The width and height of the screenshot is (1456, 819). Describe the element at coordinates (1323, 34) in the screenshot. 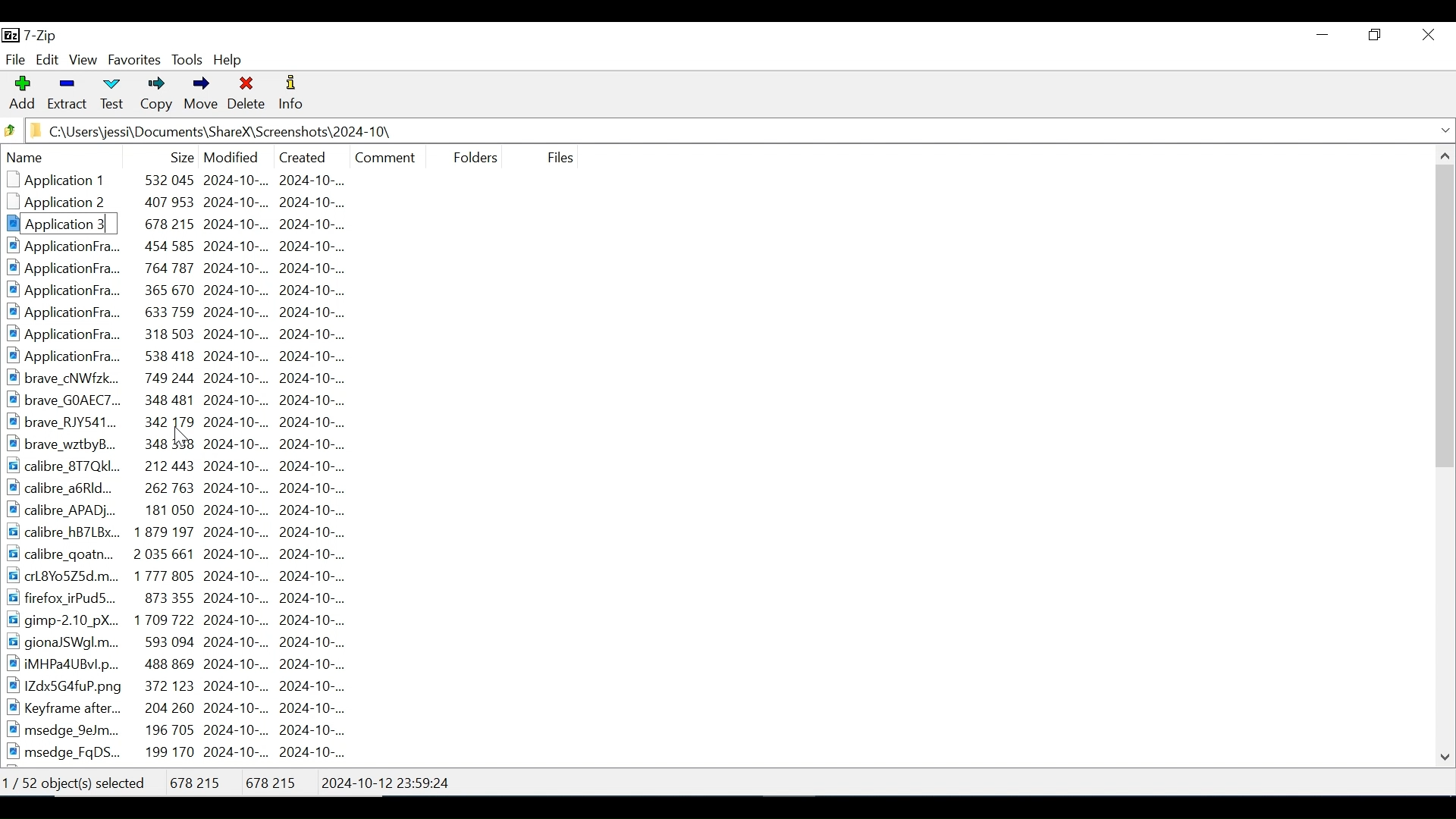

I see `Minimize` at that location.